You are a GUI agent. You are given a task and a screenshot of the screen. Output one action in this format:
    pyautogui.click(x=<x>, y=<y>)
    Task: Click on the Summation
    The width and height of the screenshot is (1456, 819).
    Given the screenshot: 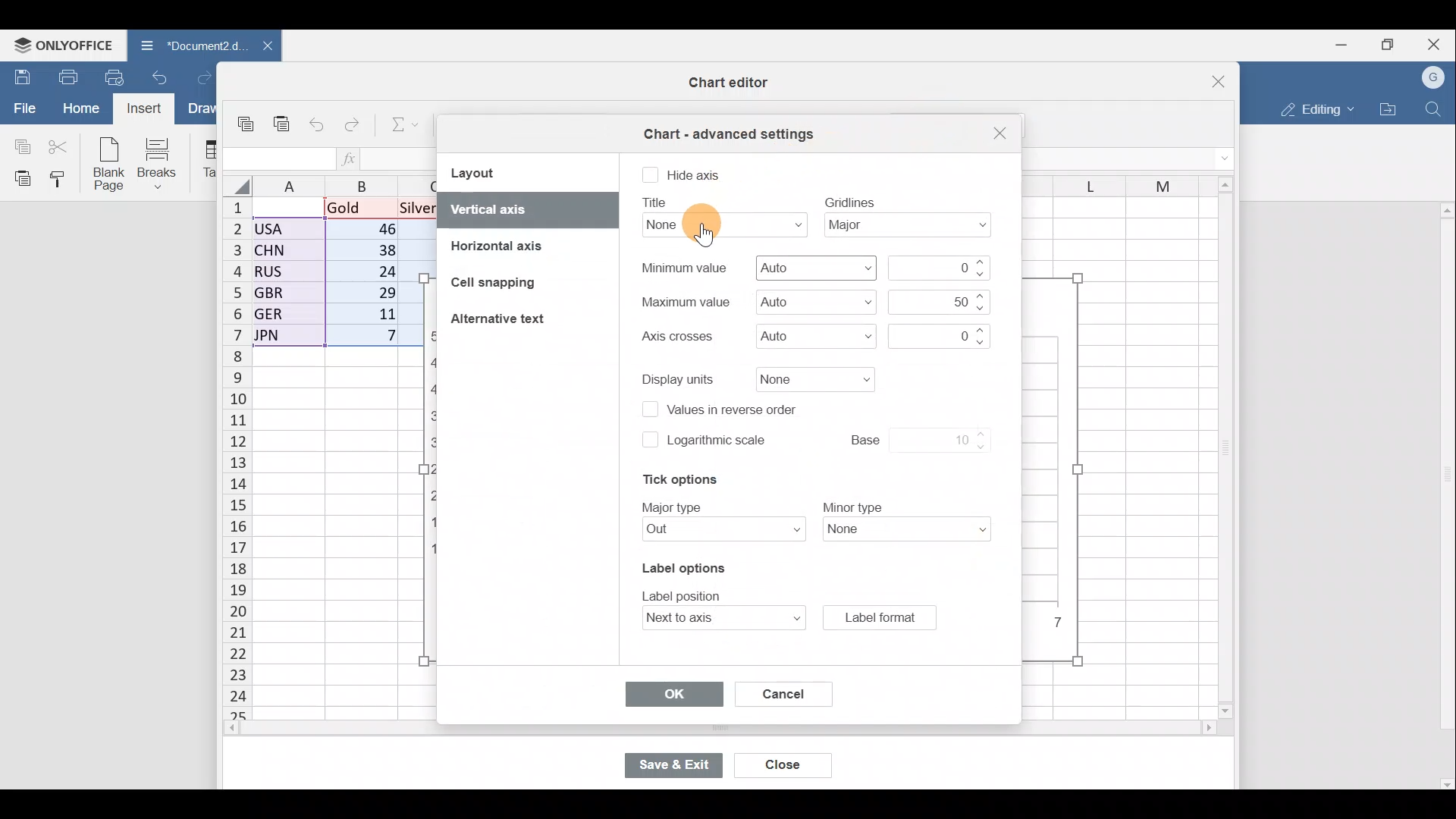 What is the action you would take?
    pyautogui.click(x=400, y=127)
    